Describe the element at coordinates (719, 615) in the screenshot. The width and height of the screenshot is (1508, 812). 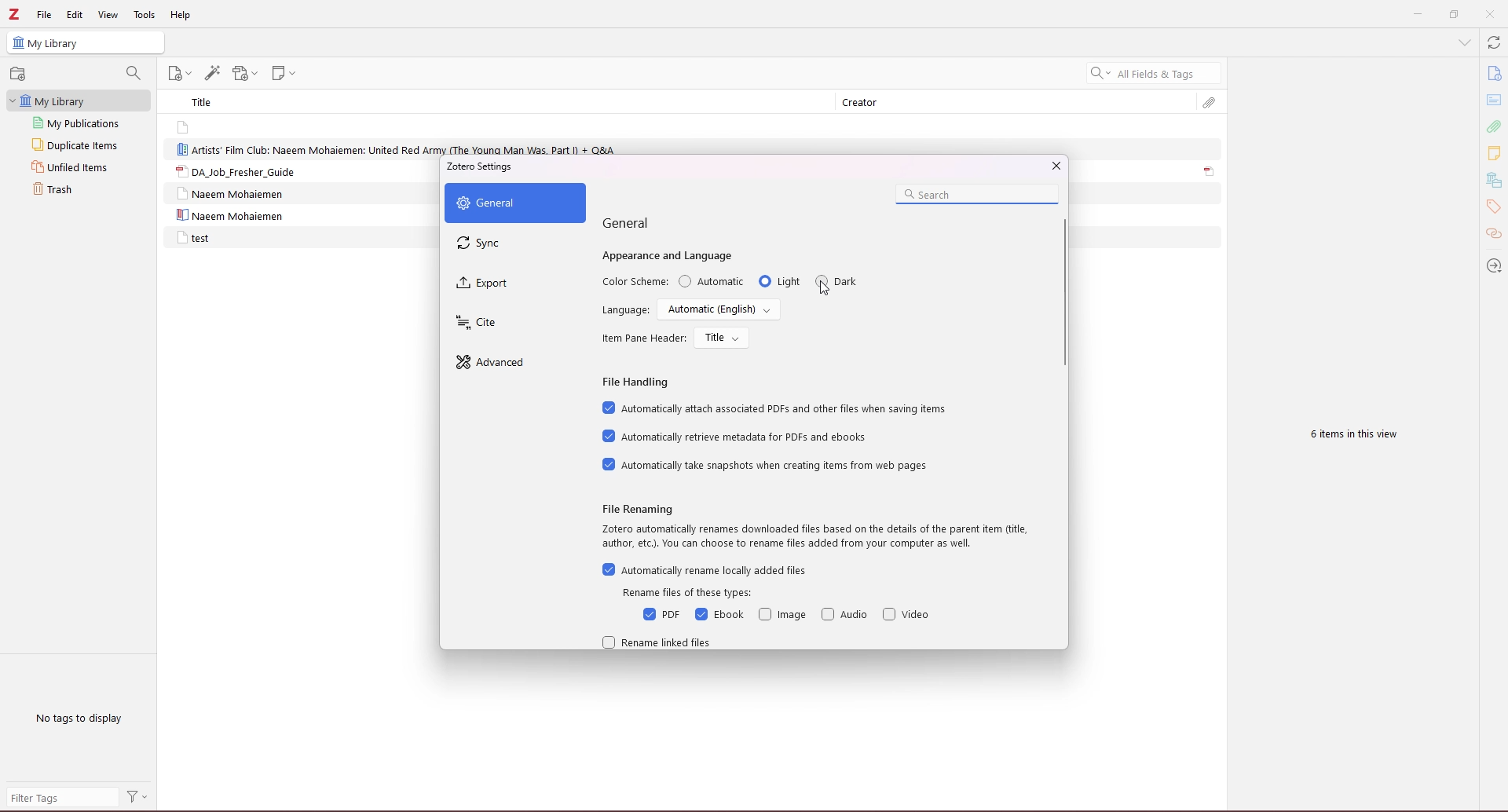
I see `ebook` at that location.